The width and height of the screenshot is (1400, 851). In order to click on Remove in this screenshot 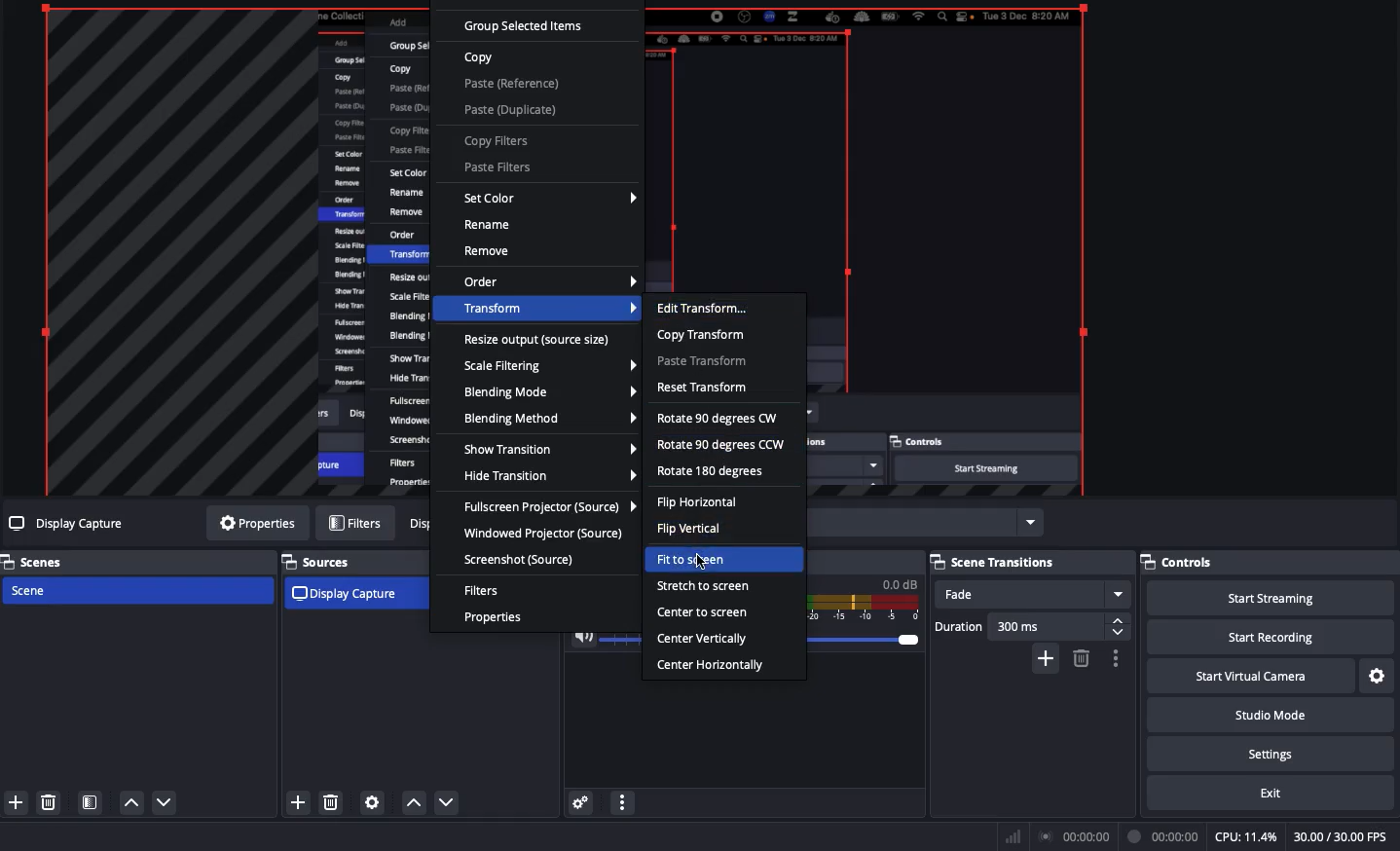, I will do `click(490, 252)`.